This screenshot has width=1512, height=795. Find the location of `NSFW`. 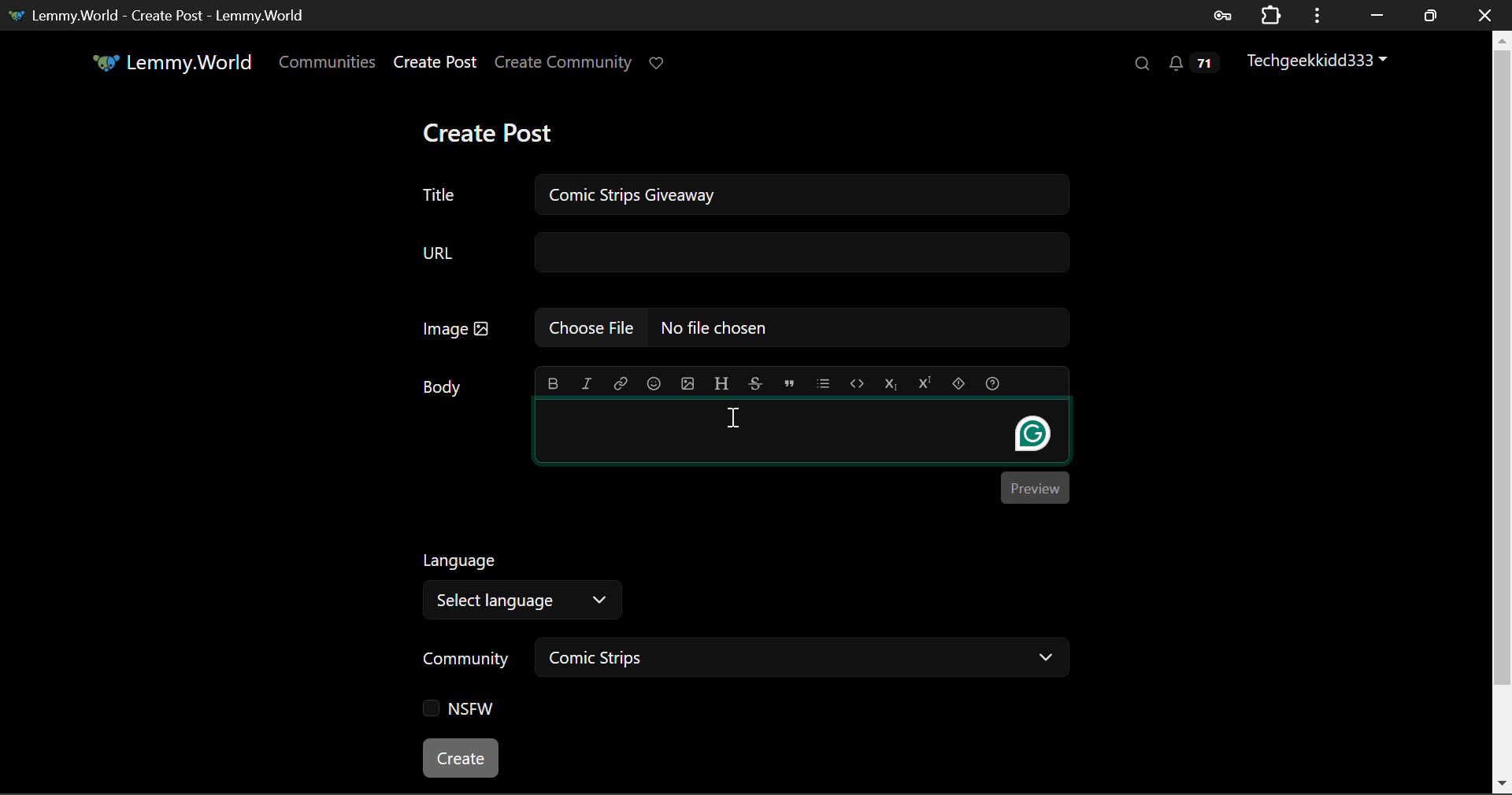

NSFW is located at coordinates (459, 708).